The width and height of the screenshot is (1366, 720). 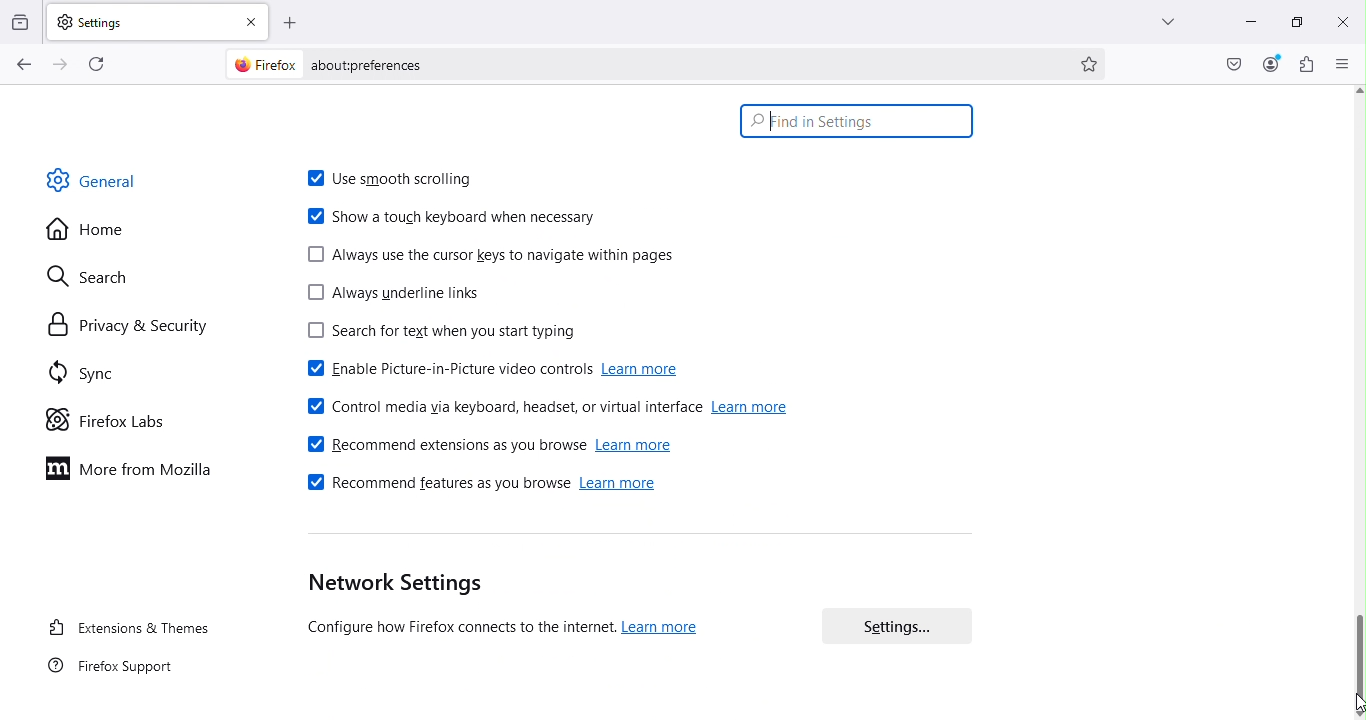 I want to click on Search bar, so click(x=860, y=121).